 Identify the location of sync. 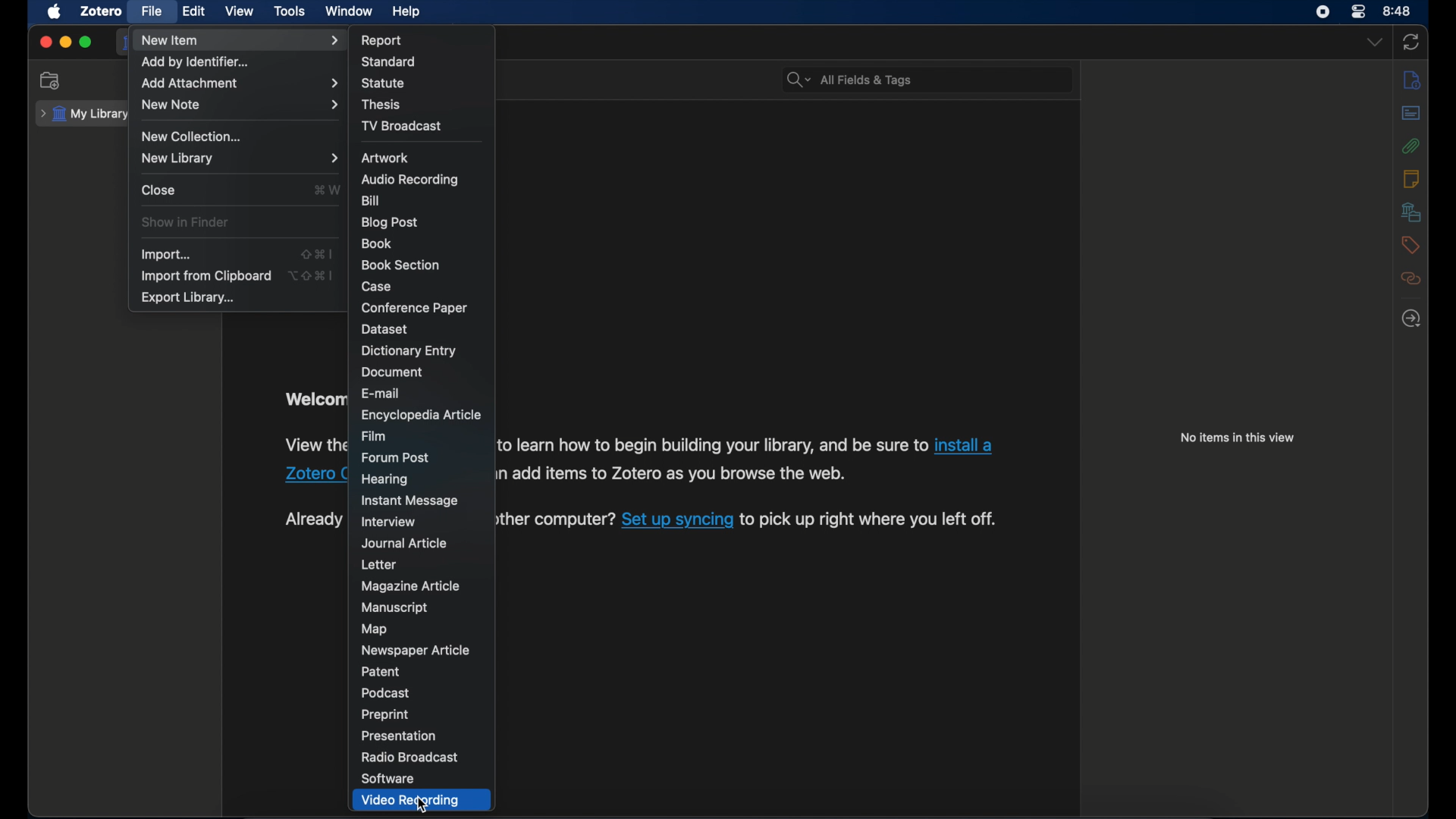
(1412, 42).